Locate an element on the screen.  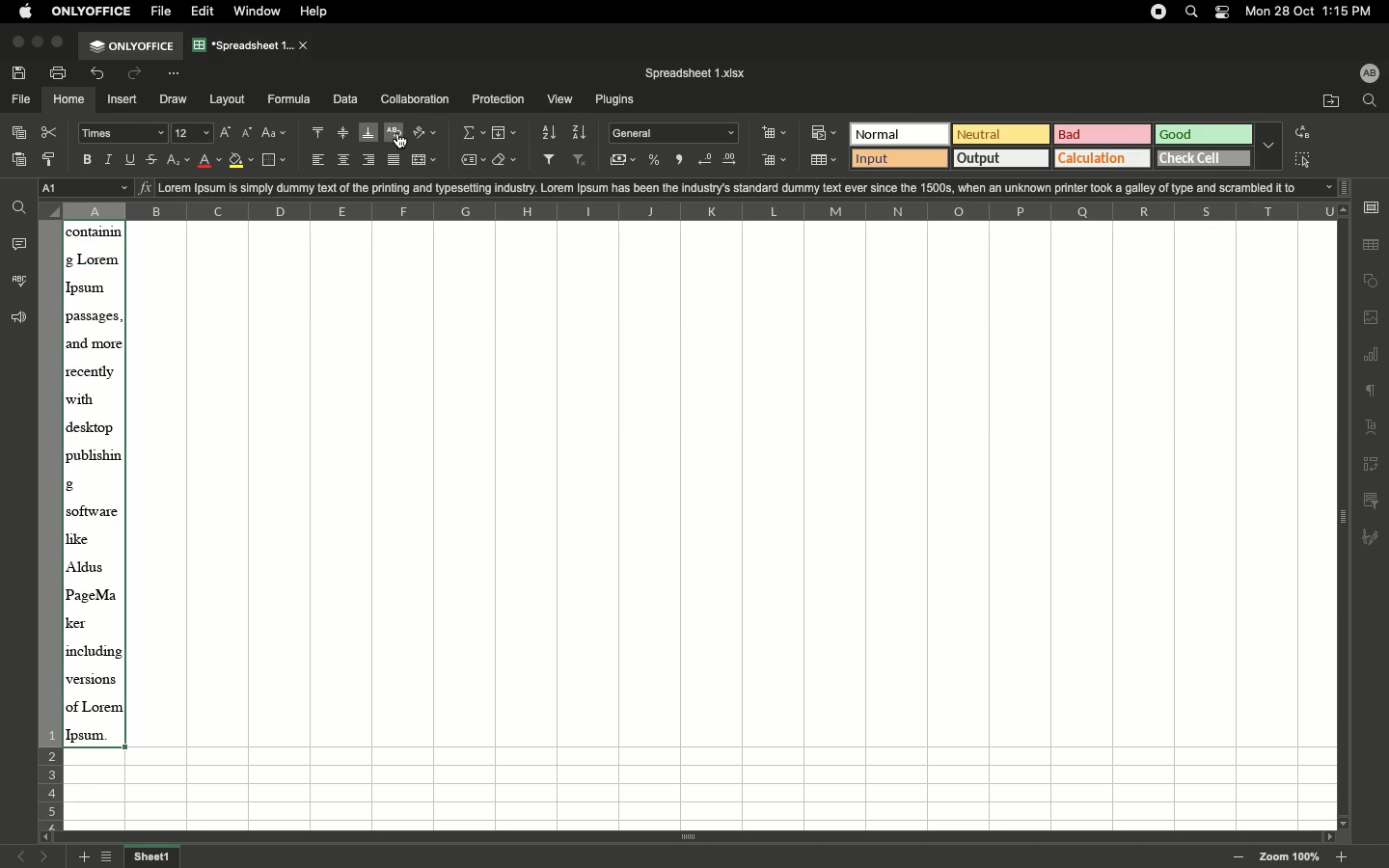
Decrease decimal is located at coordinates (707, 160).